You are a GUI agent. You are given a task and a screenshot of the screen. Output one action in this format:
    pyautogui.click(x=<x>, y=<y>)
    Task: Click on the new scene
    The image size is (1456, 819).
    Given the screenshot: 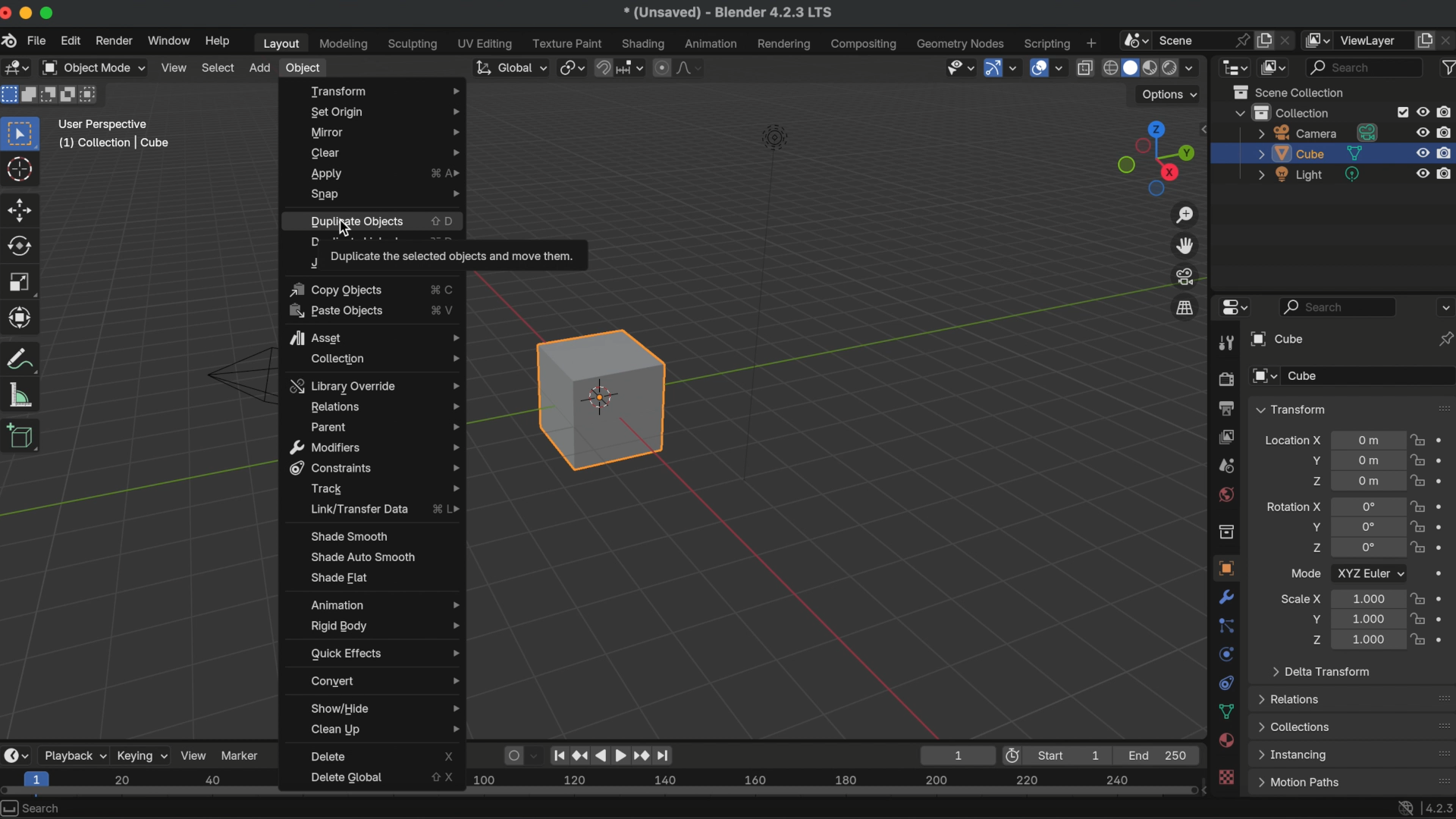 What is the action you would take?
    pyautogui.click(x=1265, y=40)
    